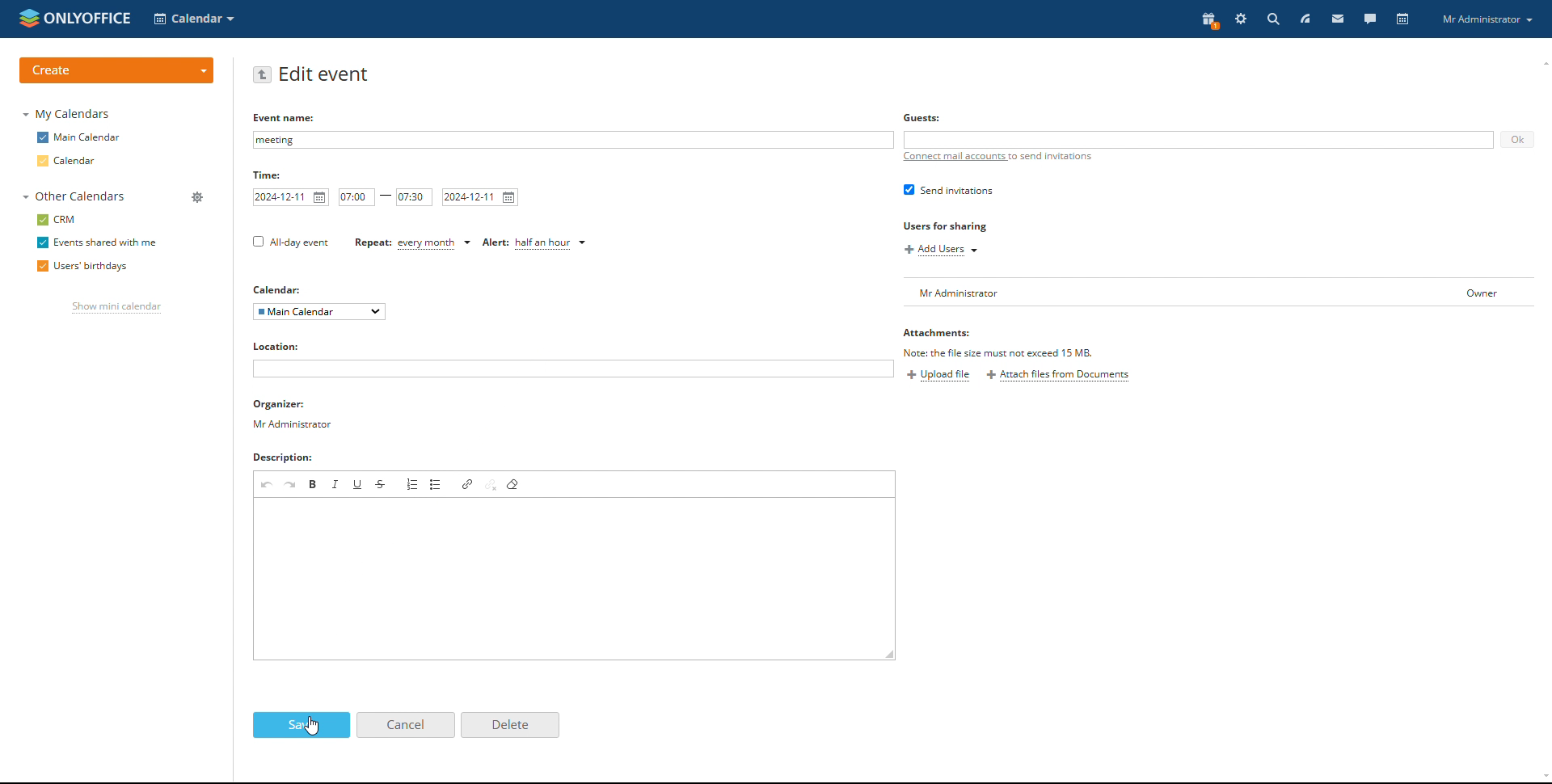  Describe the element at coordinates (118, 69) in the screenshot. I see `create` at that location.